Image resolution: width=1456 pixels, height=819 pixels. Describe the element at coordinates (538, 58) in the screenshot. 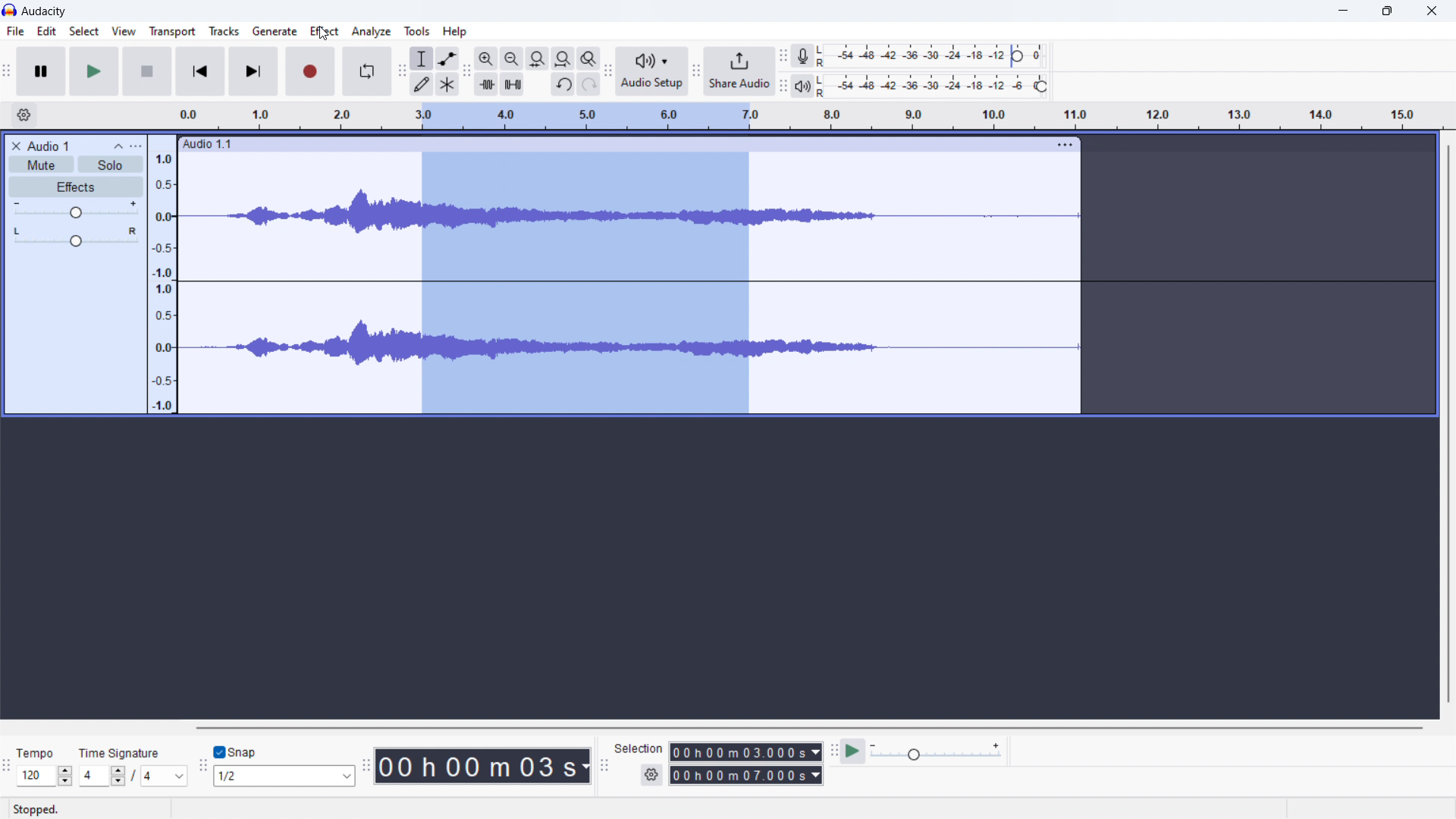

I see `fill selection to width` at that location.